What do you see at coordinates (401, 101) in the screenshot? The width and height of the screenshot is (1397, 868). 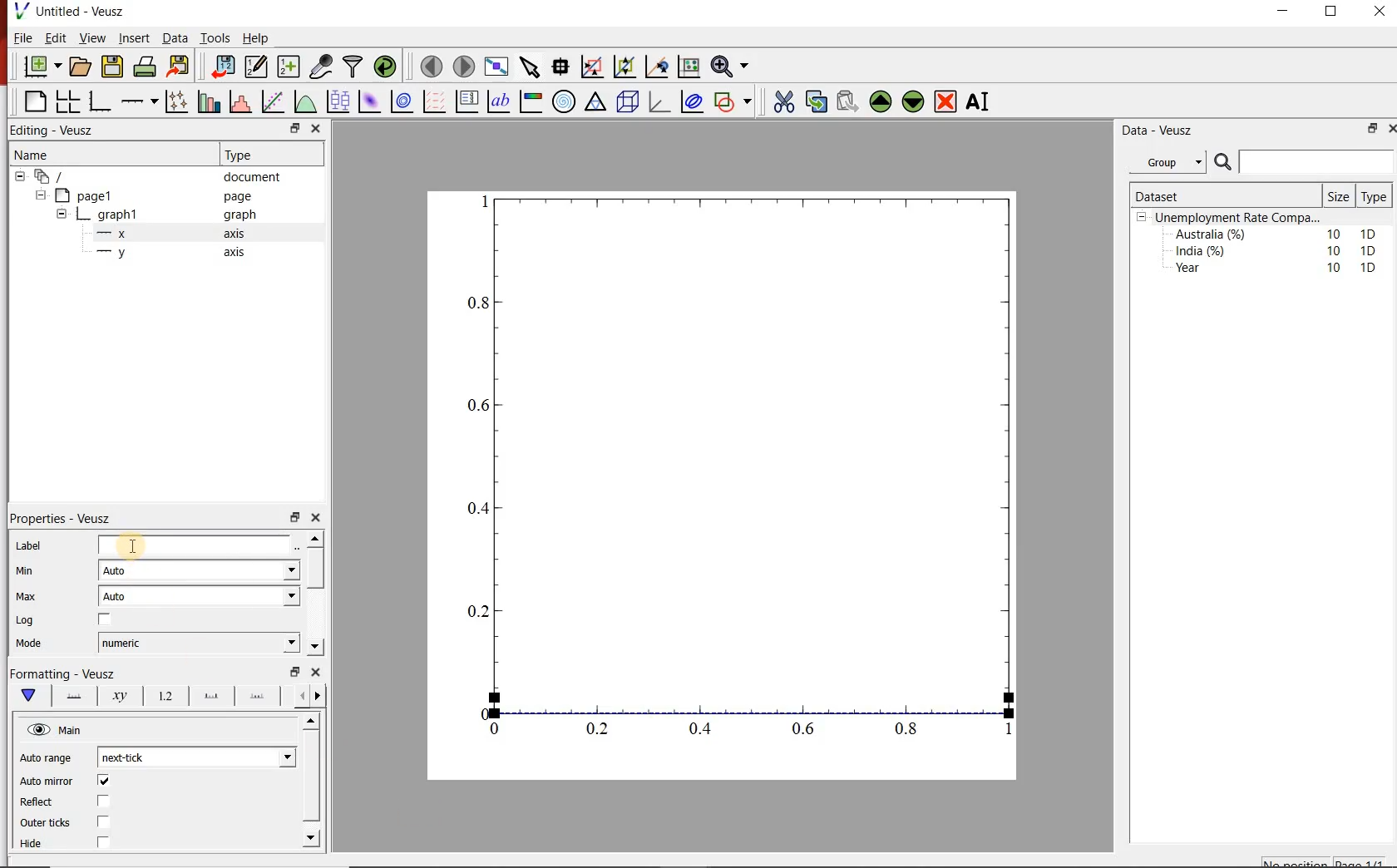 I see `plot 2d datasets as contours` at bounding box center [401, 101].